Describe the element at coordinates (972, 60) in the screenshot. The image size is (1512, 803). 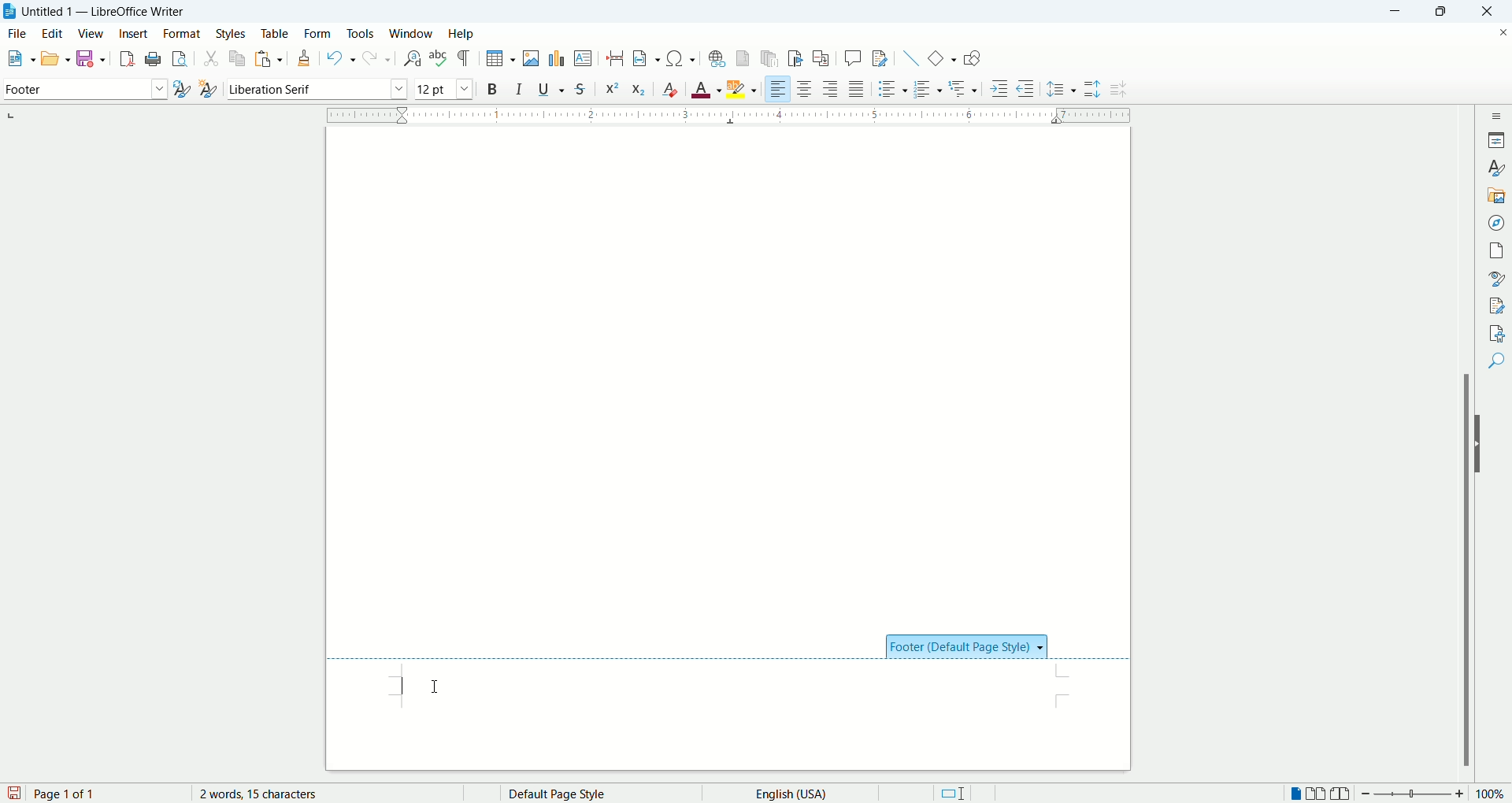
I see `show draw functions` at that location.